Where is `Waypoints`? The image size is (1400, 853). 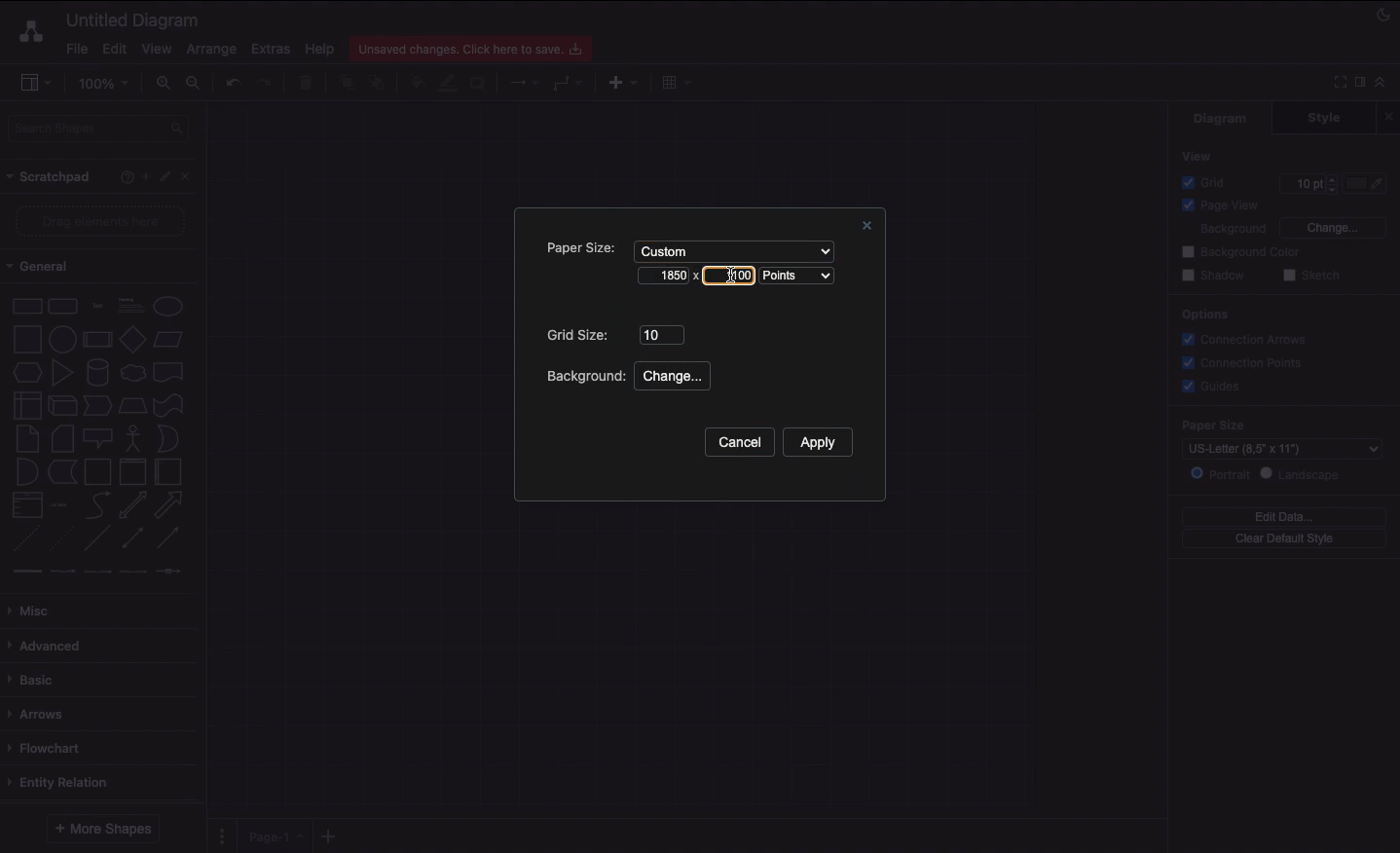
Waypoints is located at coordinates (569, 85).